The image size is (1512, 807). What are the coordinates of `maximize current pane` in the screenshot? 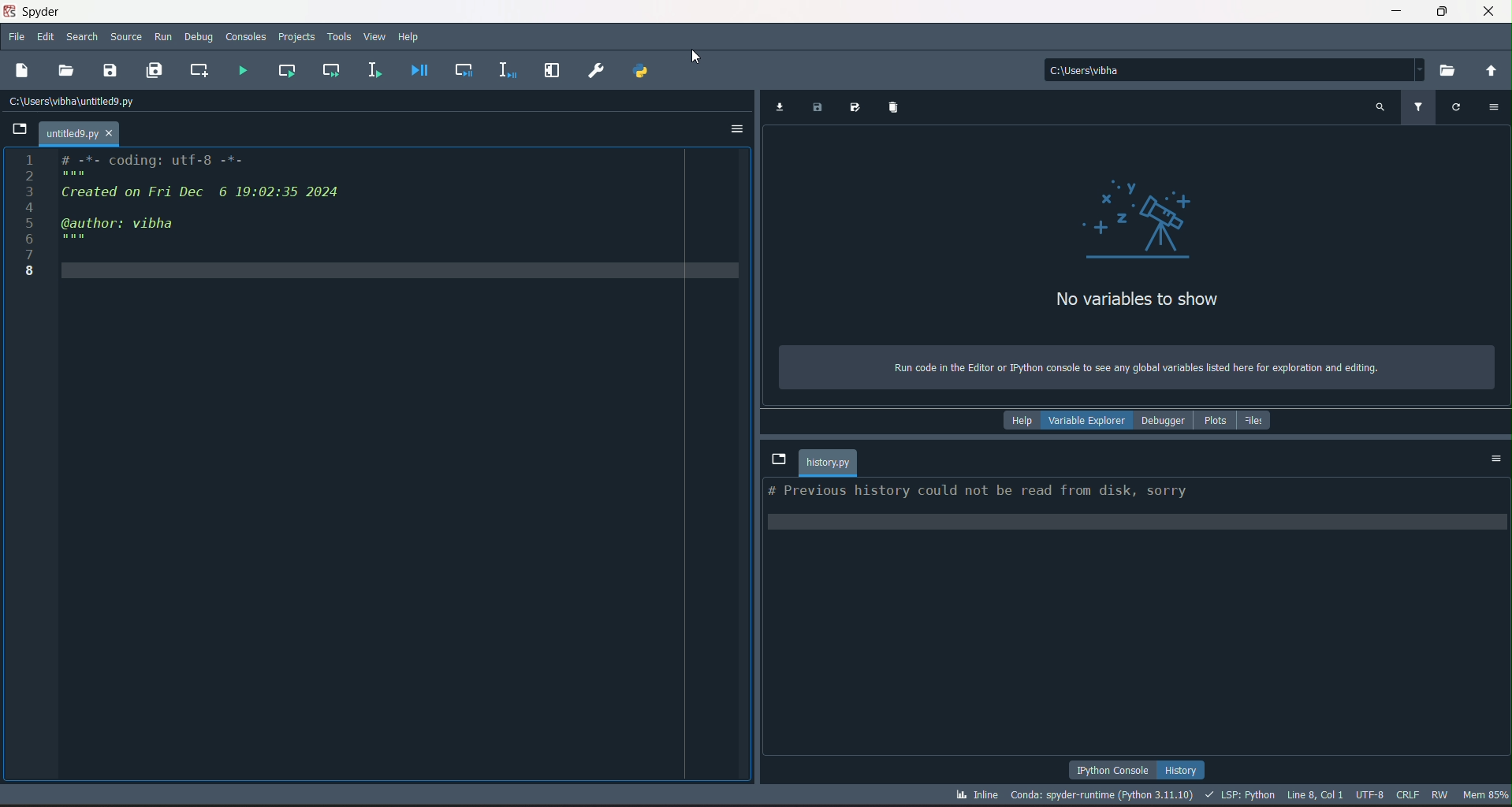 It's located at (553, 71).